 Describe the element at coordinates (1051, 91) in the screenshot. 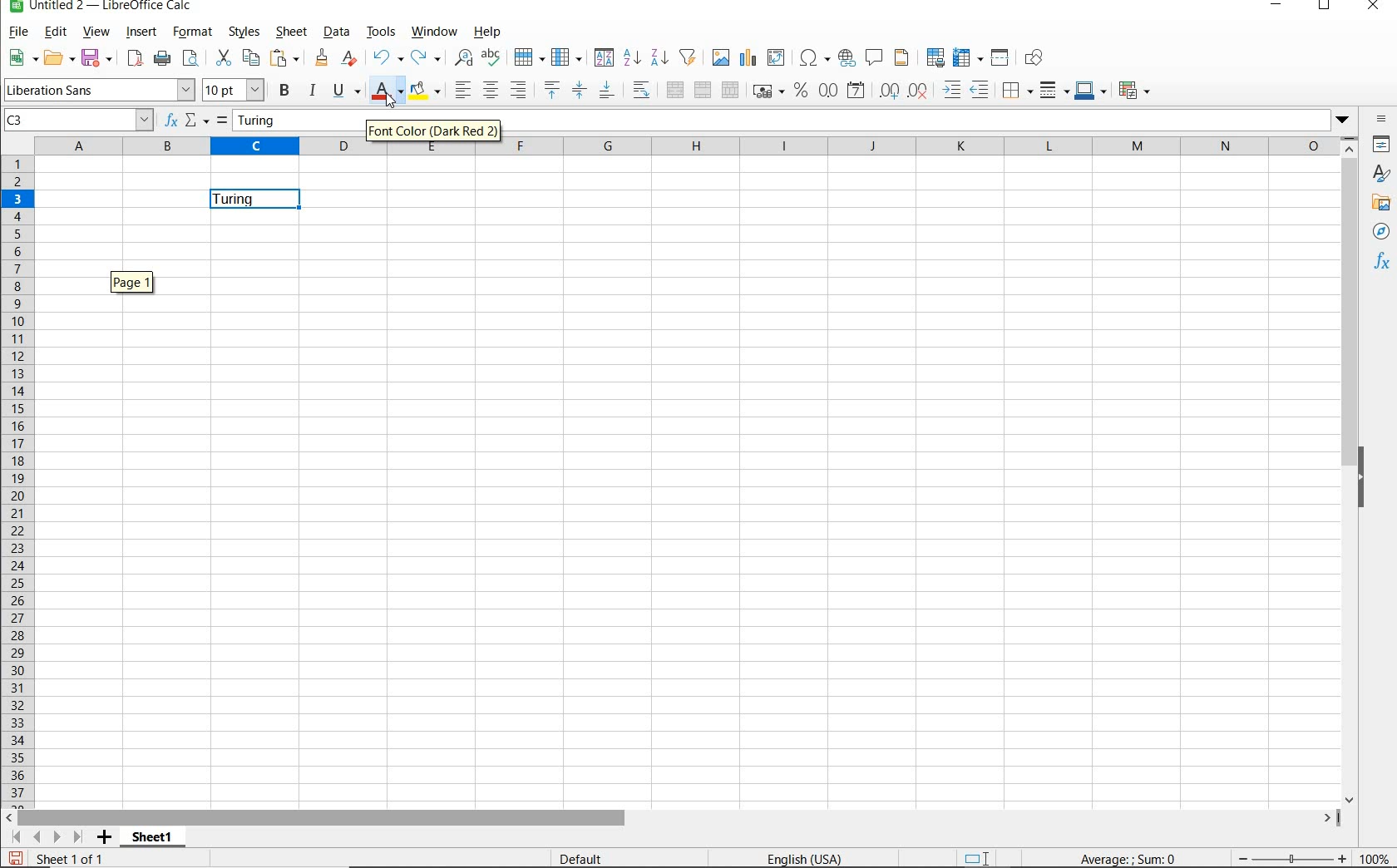

I see `BORDER STYLE` at that location.